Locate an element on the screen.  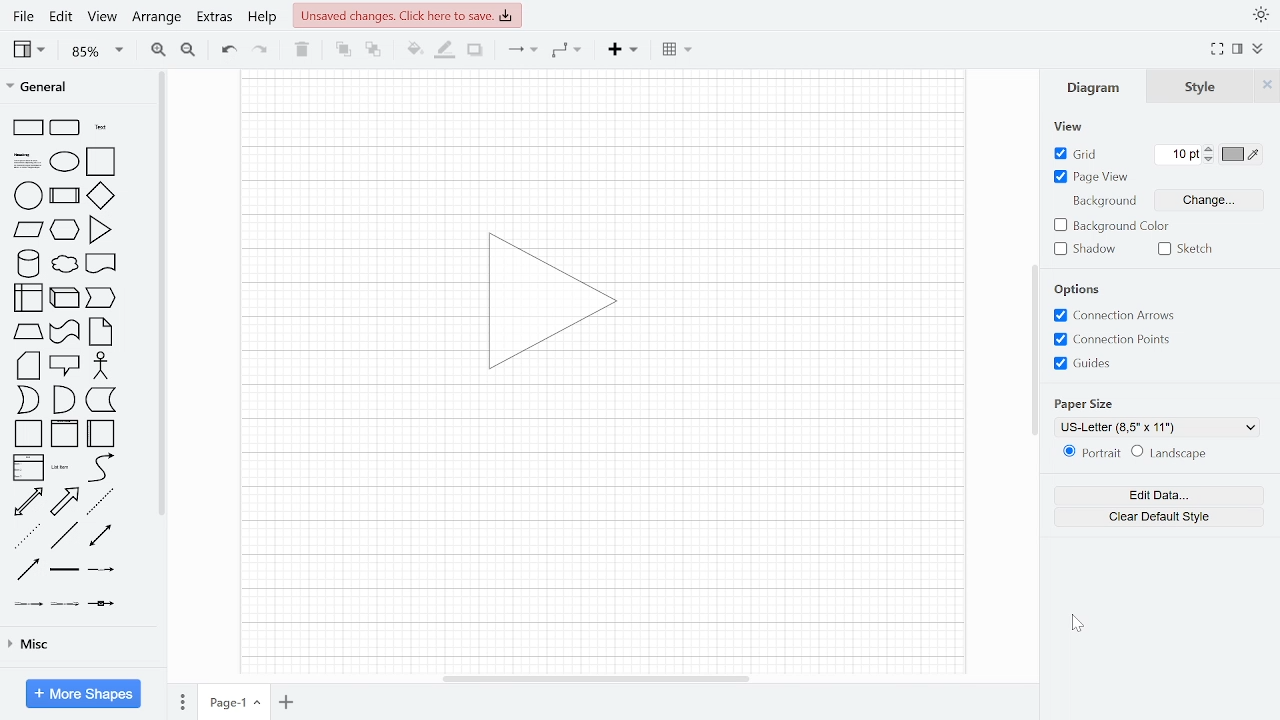
Triangle shape is located at coordinates (552, 301).